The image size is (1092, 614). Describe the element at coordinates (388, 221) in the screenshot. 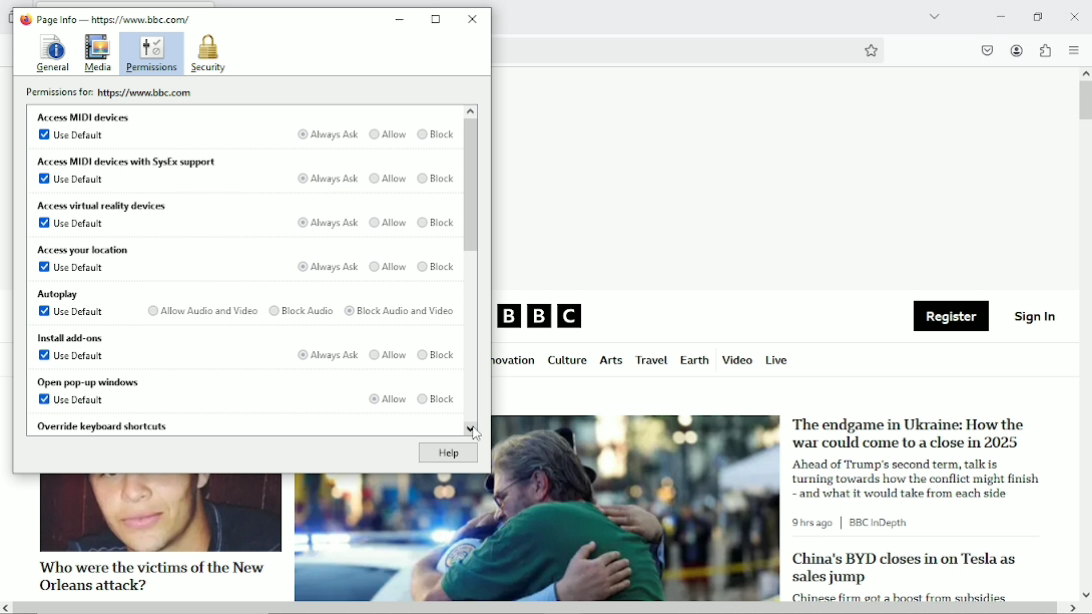

I see `Allow` at that location.